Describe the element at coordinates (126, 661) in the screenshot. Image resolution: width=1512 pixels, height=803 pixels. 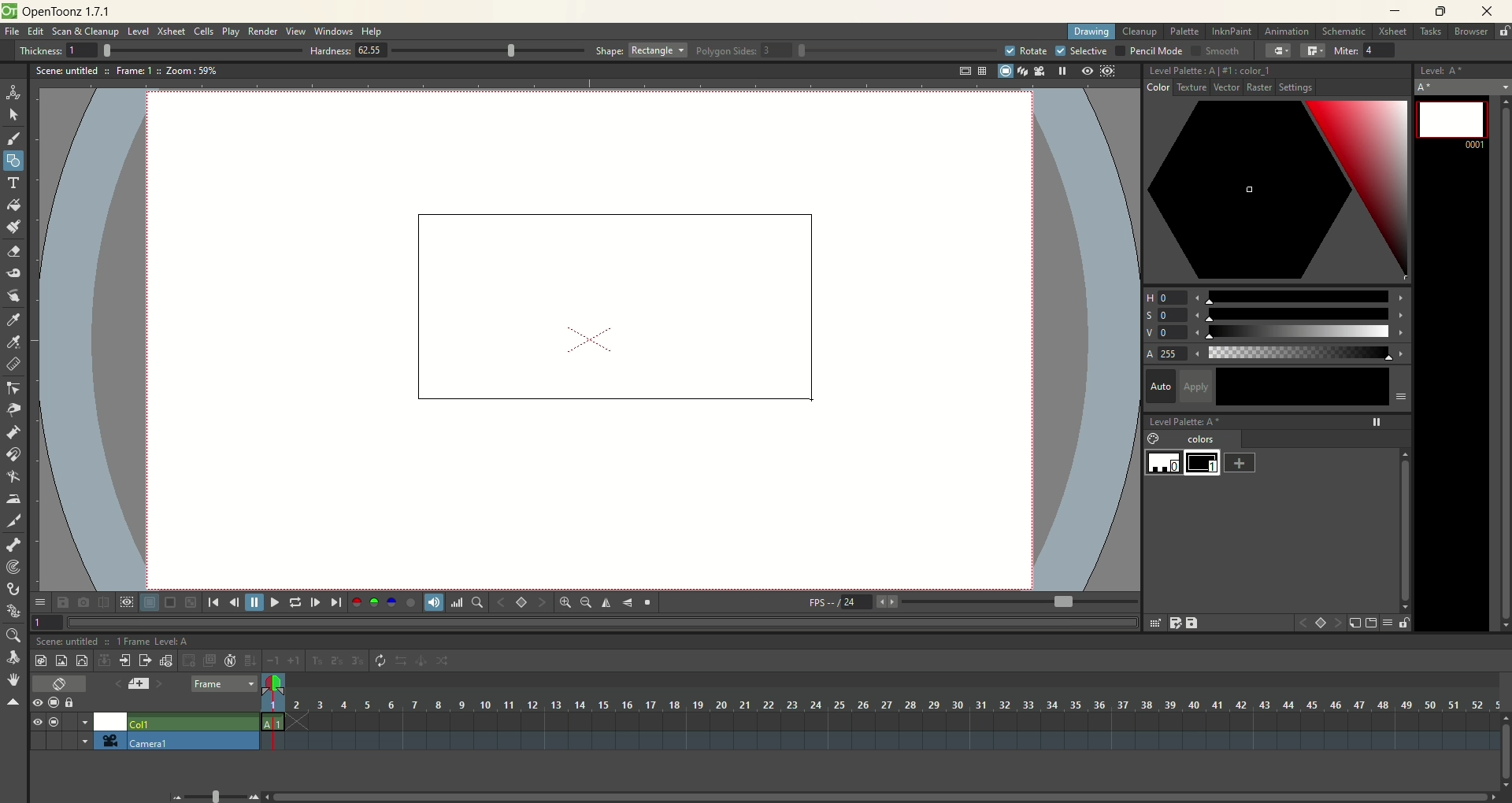
I see `open sub-Xsheet` at that location.